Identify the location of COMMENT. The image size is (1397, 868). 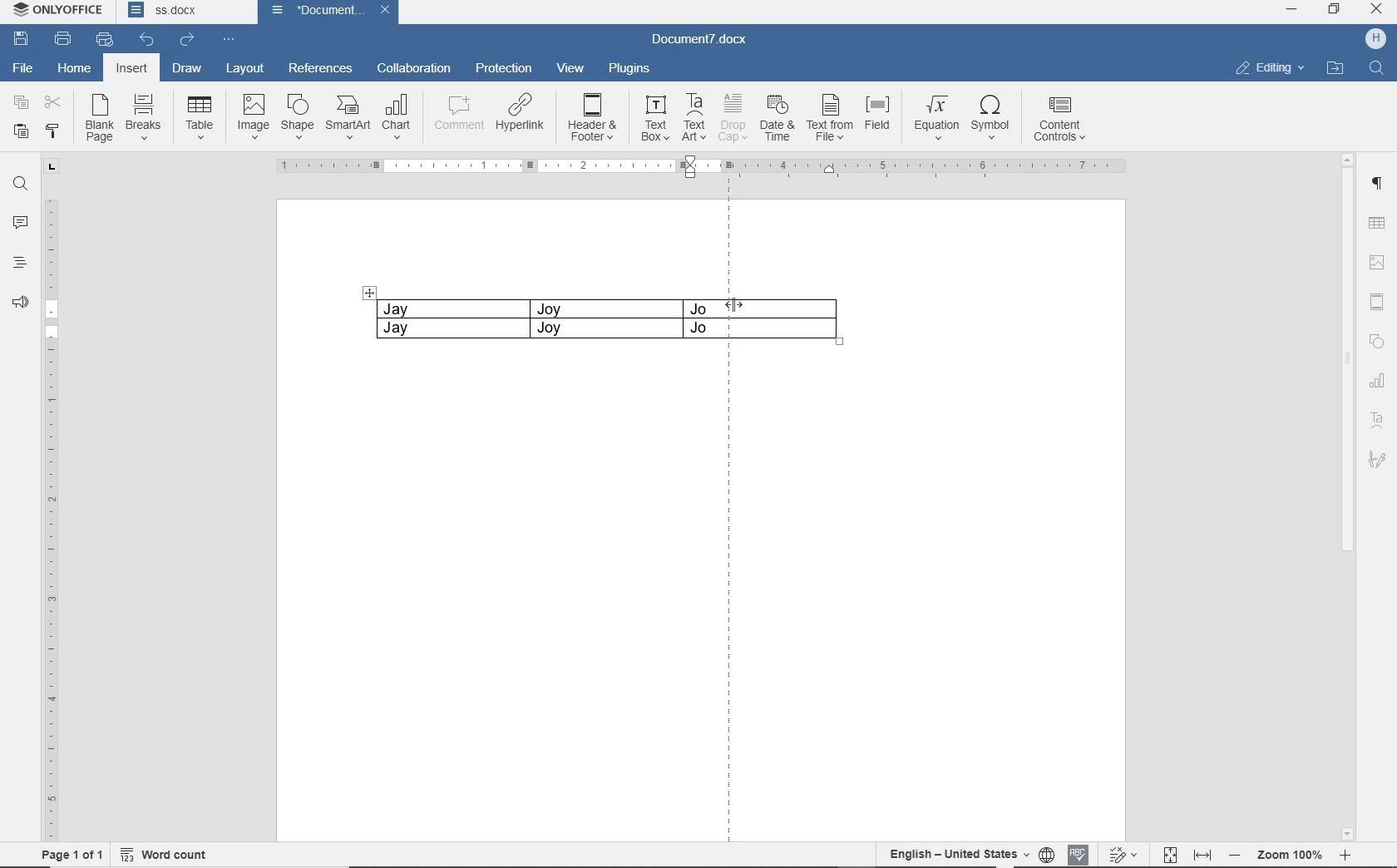
(455, 116).